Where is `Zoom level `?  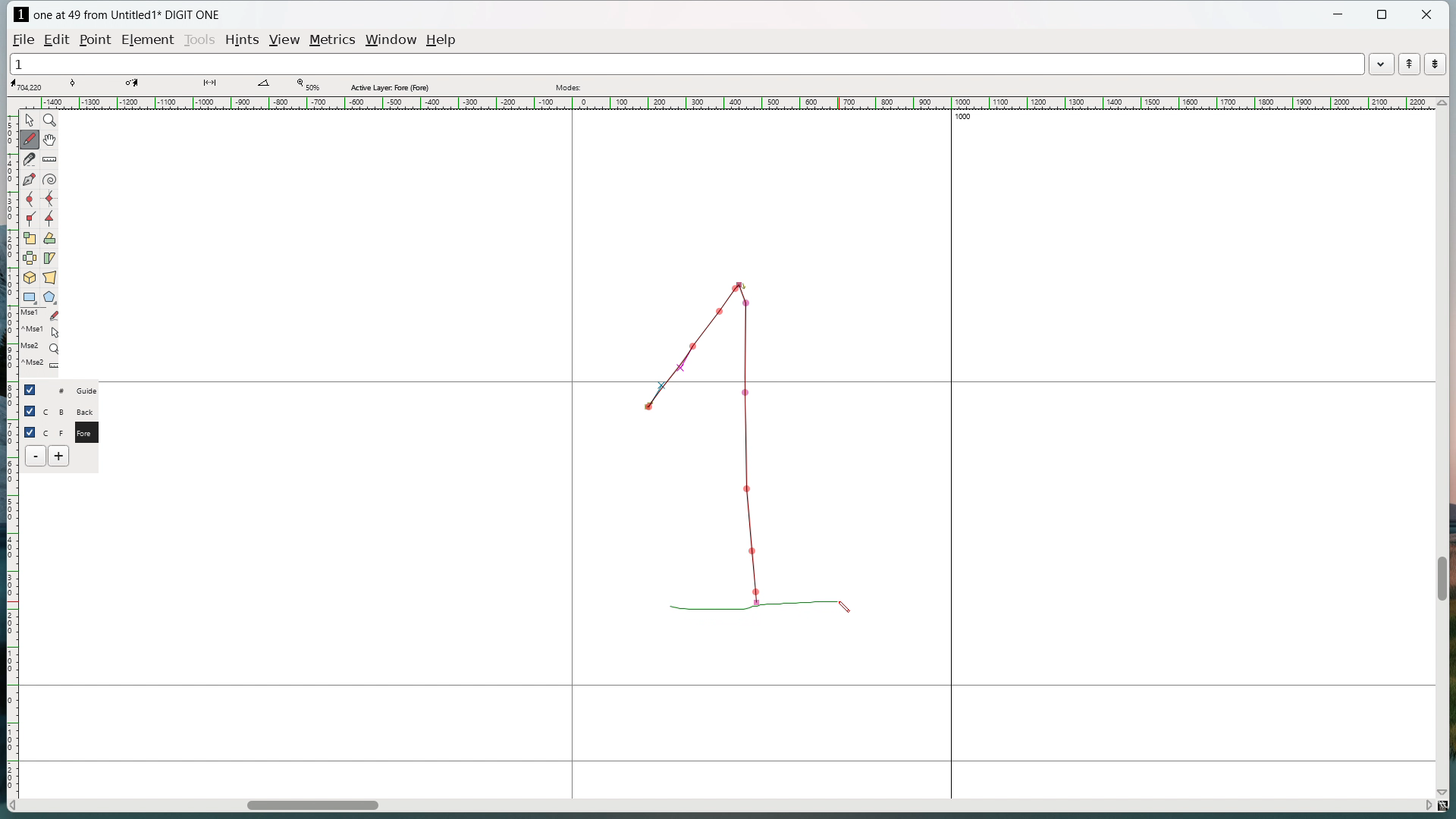 Zoom level  is located at coordinates (307, 86).